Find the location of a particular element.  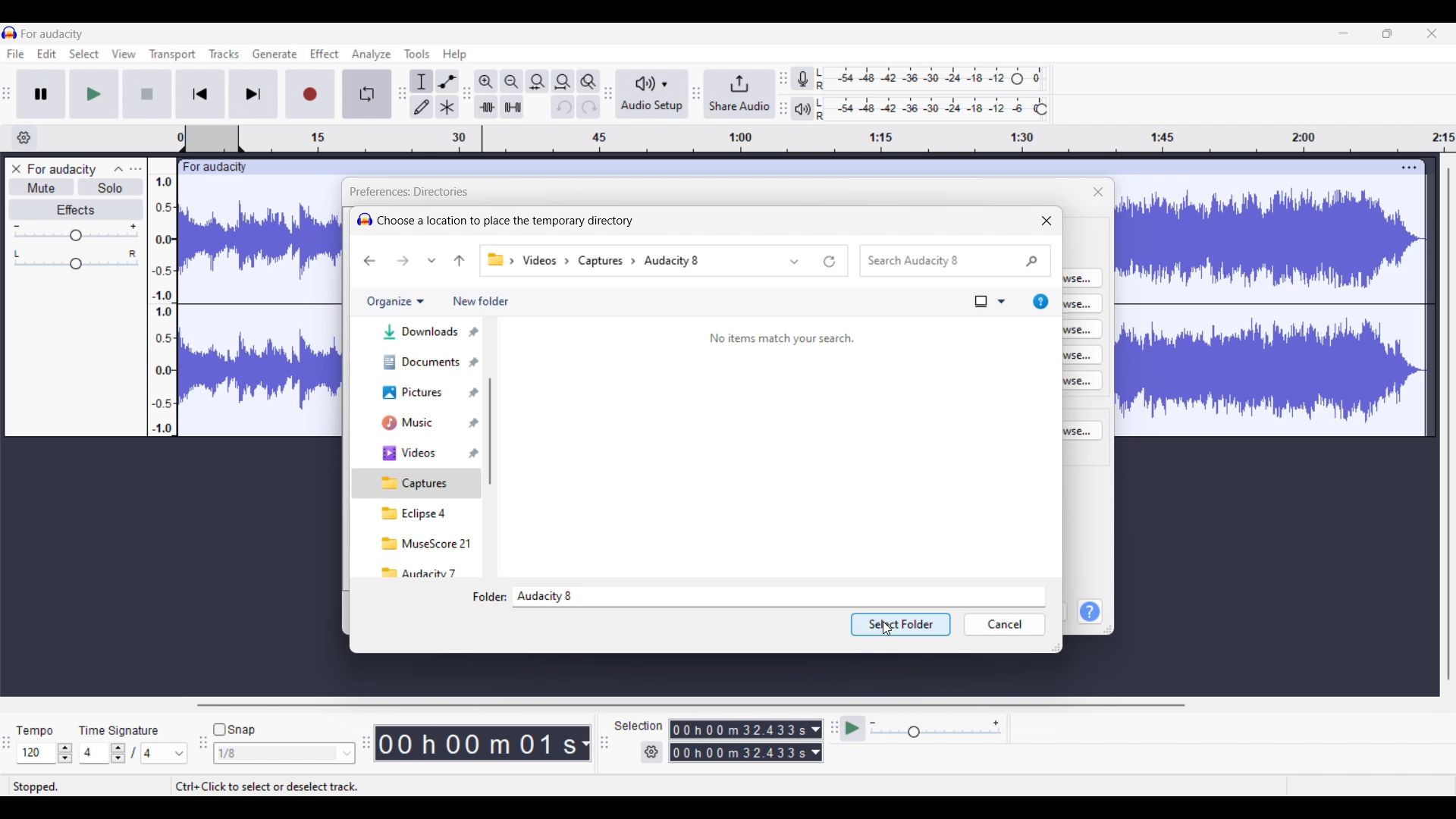

Timeline options is located at coordinates (24, 138).